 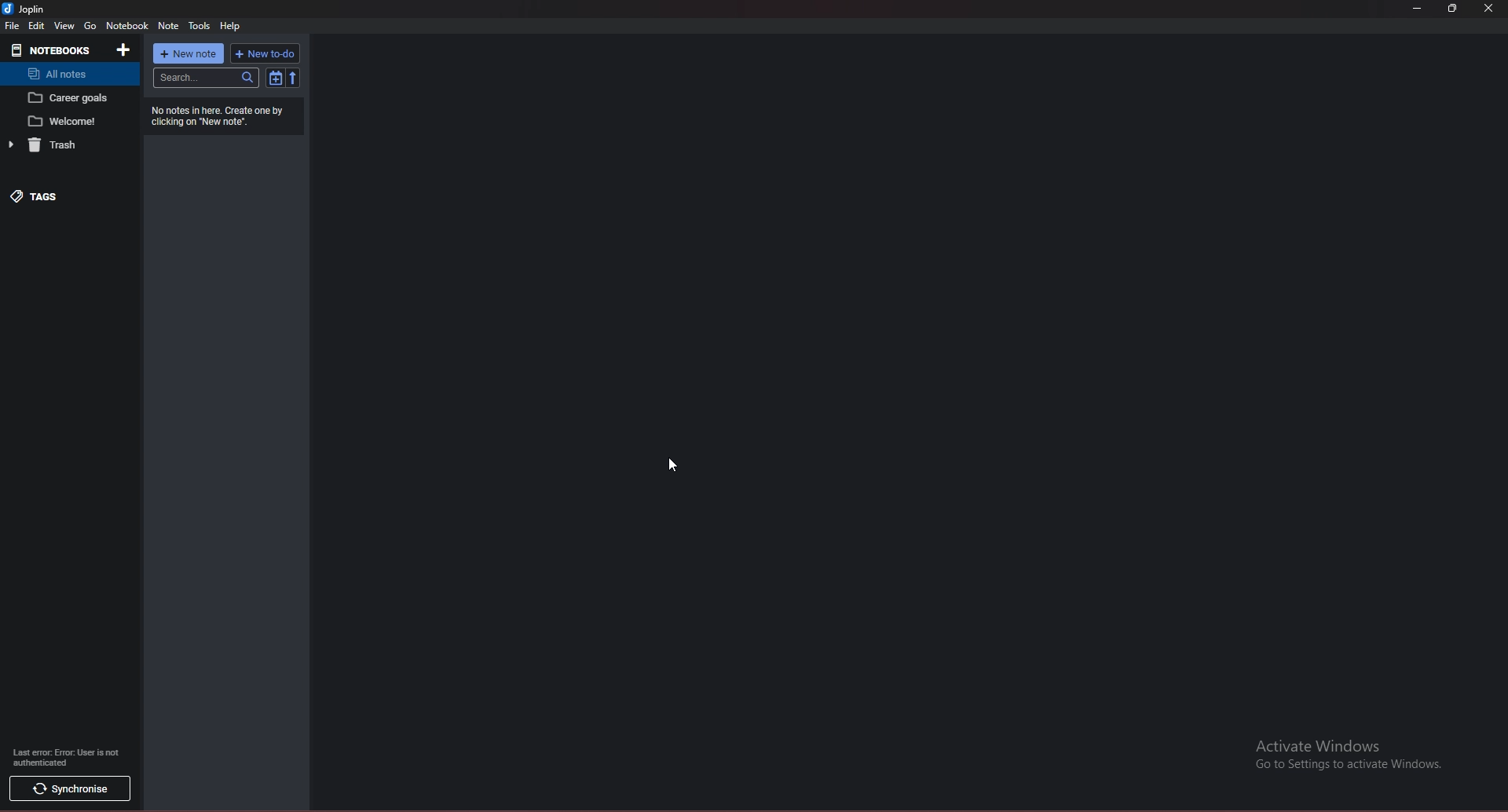 I want to click on info, so click(x=222, y=116).